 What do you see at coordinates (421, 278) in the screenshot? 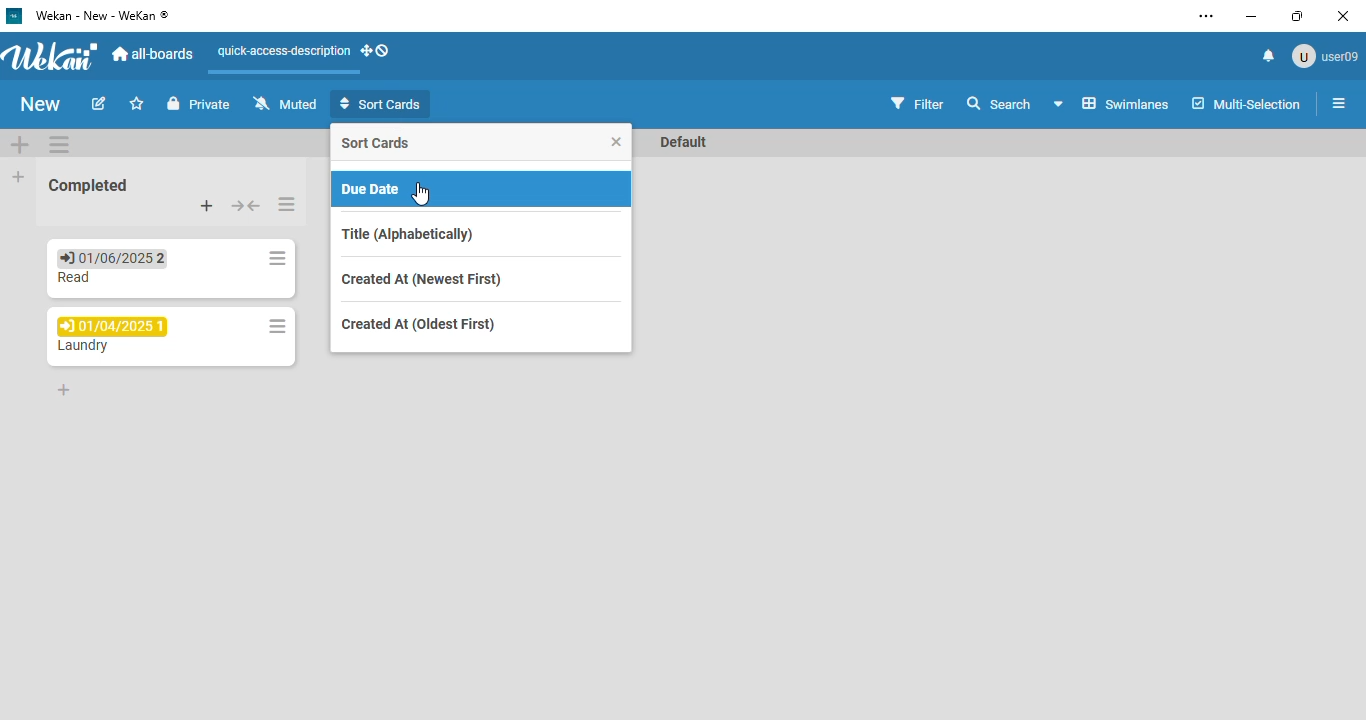
I see `created at (newest first)` at bounding box center [421, 278].